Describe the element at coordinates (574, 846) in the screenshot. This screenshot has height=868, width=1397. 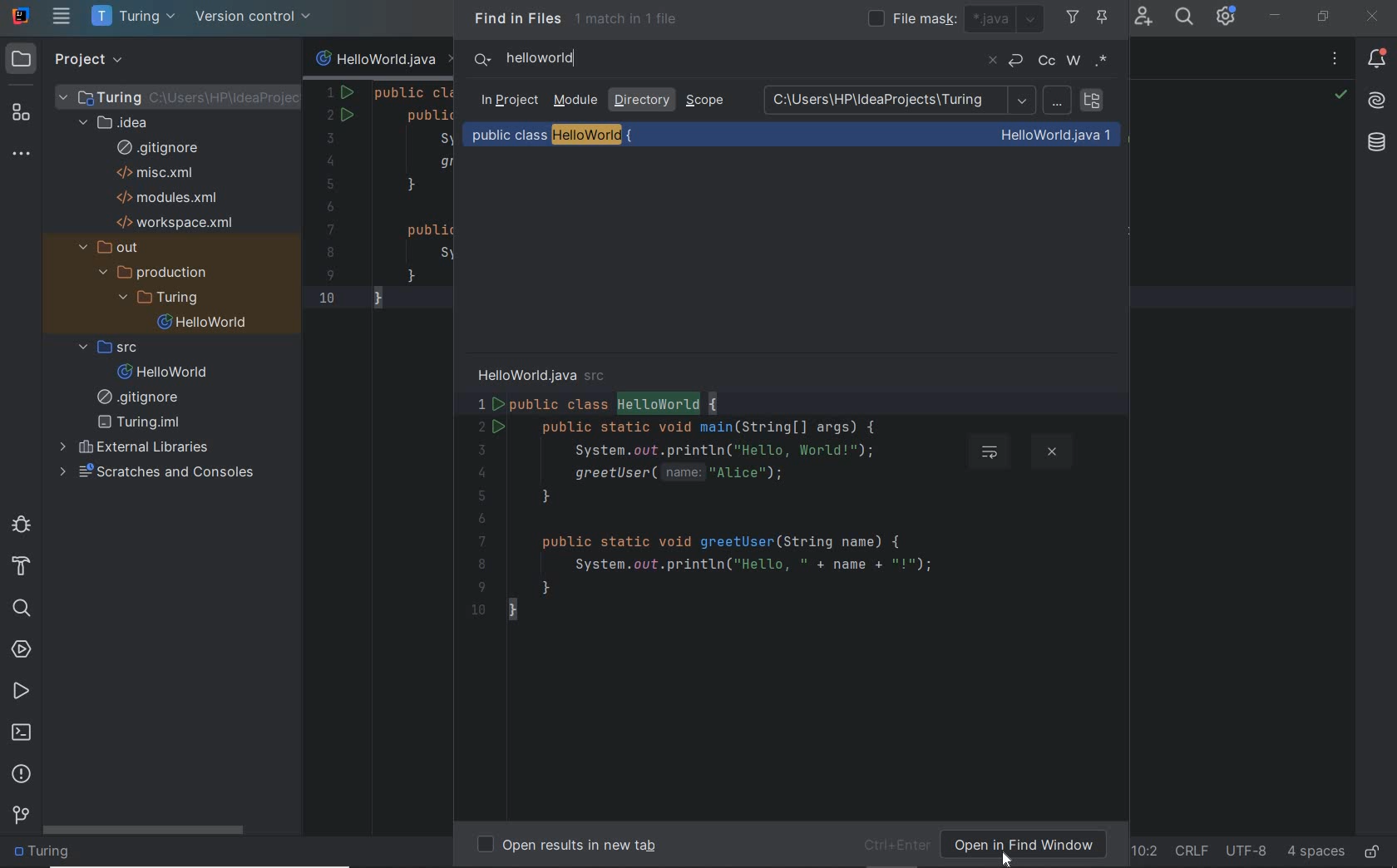
I see `open results in new tab` at that location.